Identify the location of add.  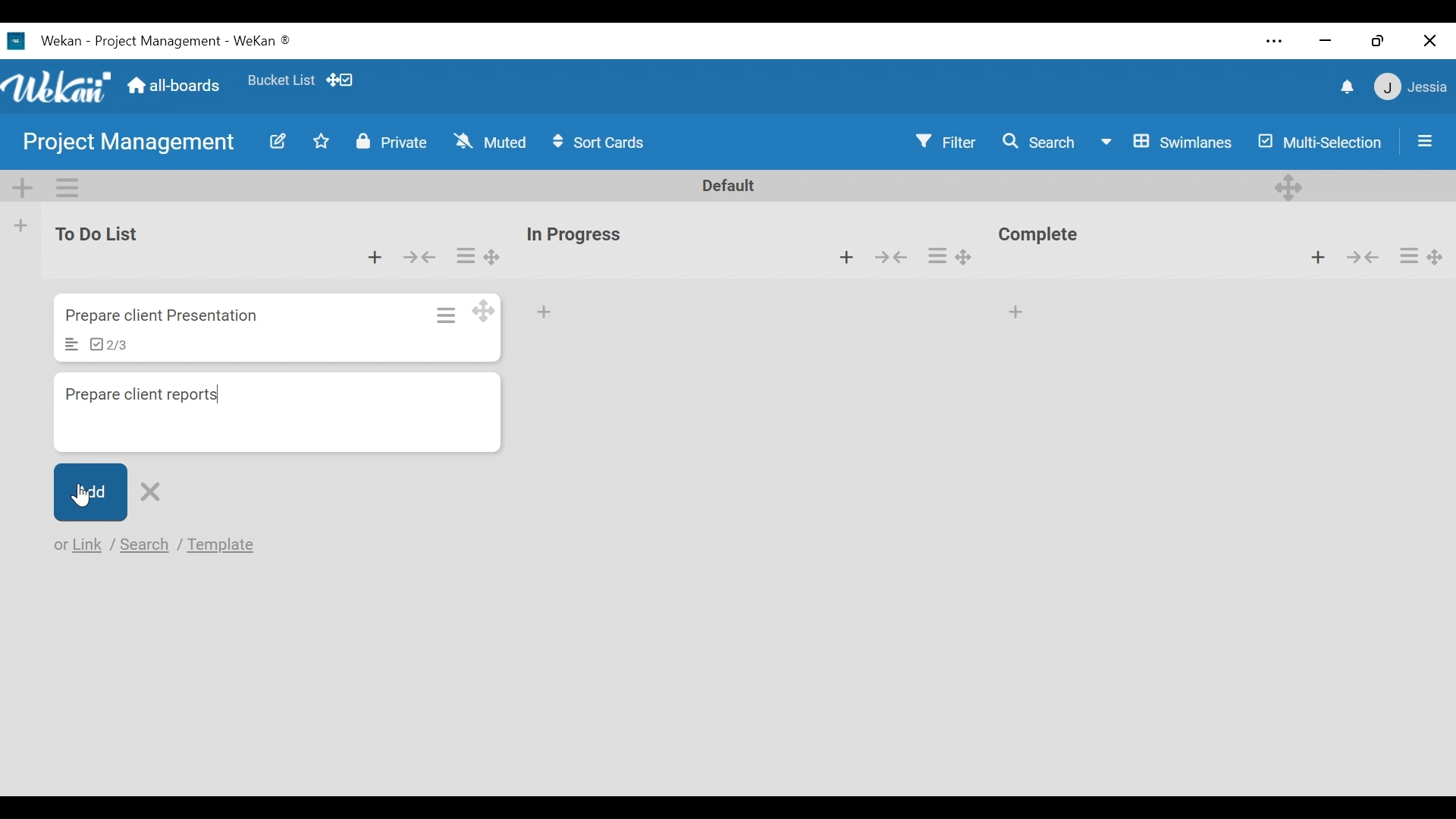
(549, 313).